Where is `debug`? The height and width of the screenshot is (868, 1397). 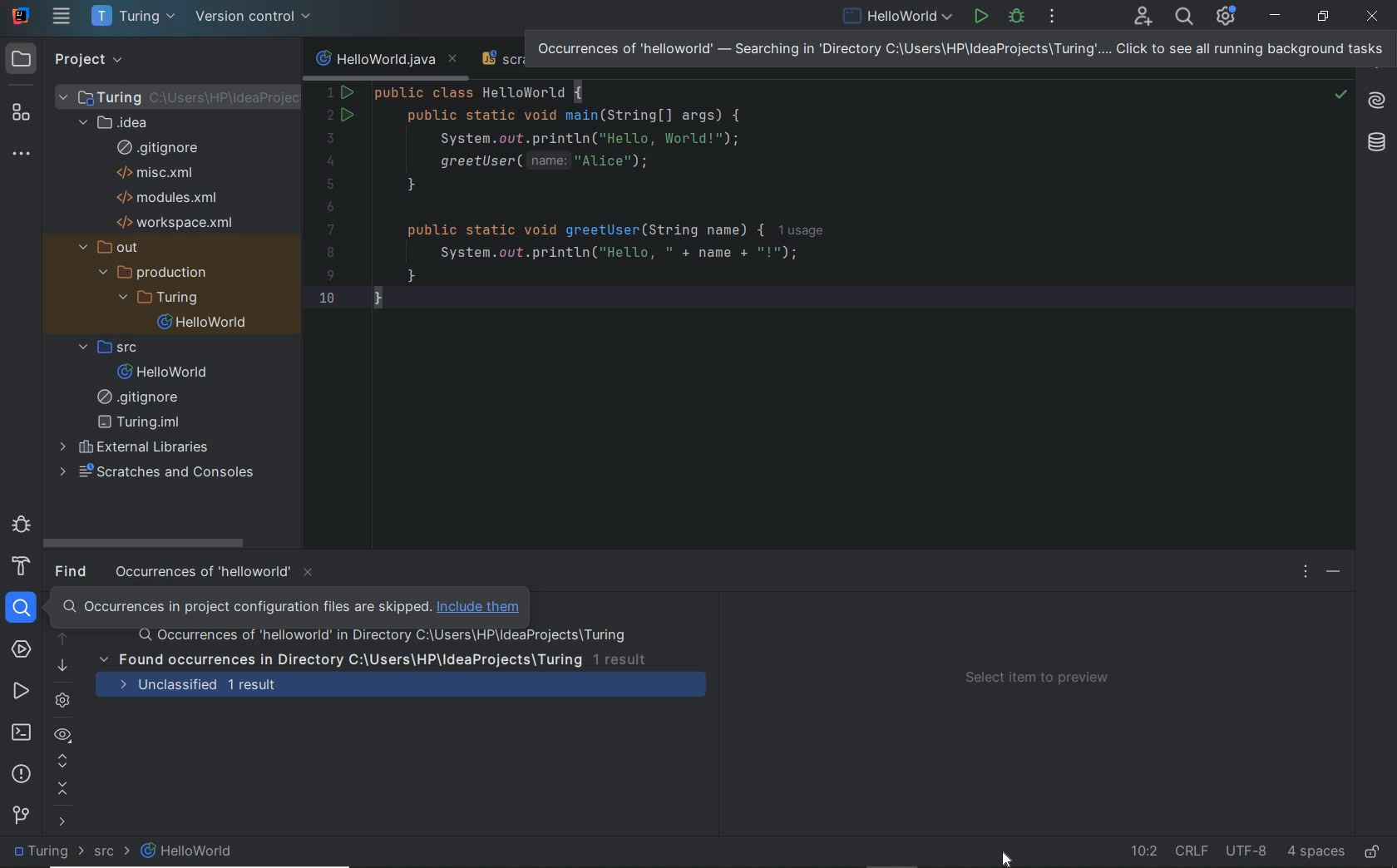 debug is located at coordinates (21, 527).